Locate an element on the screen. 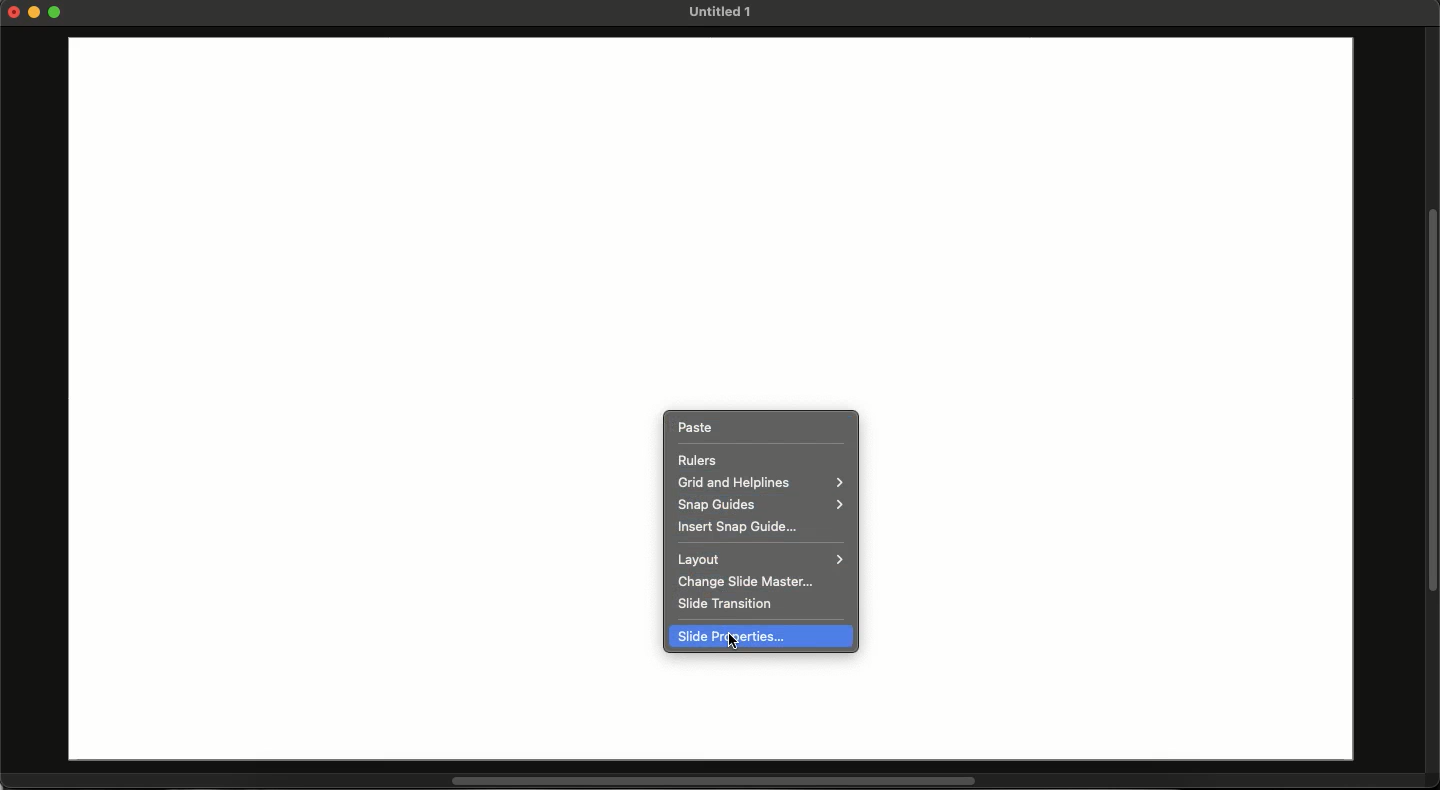 The width and height of the screenshot is (1440, 790). Paste is located at coordinates (693, 427).